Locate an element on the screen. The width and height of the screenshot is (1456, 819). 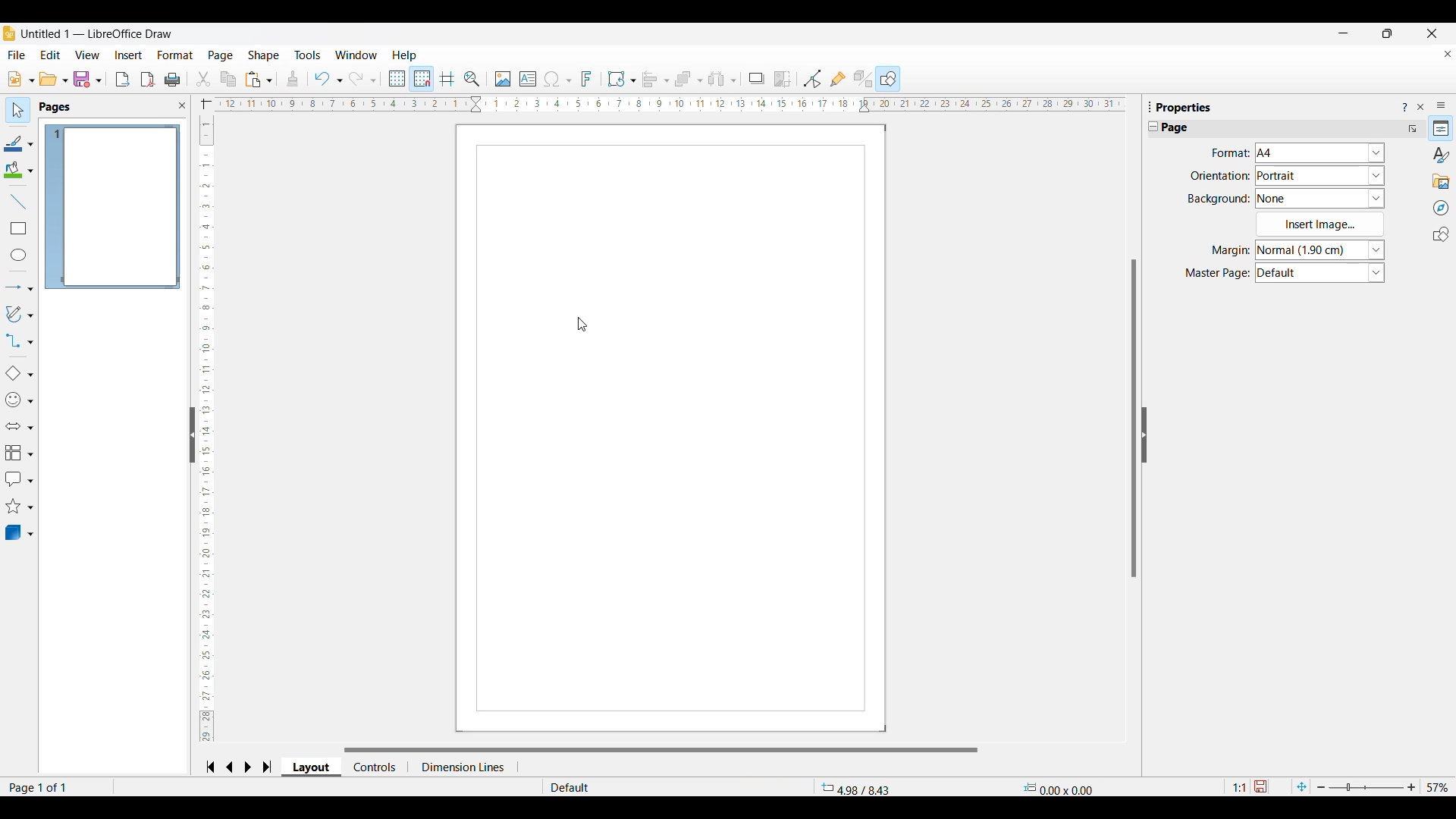
Close sidebar is located at coordinates (183, 105).